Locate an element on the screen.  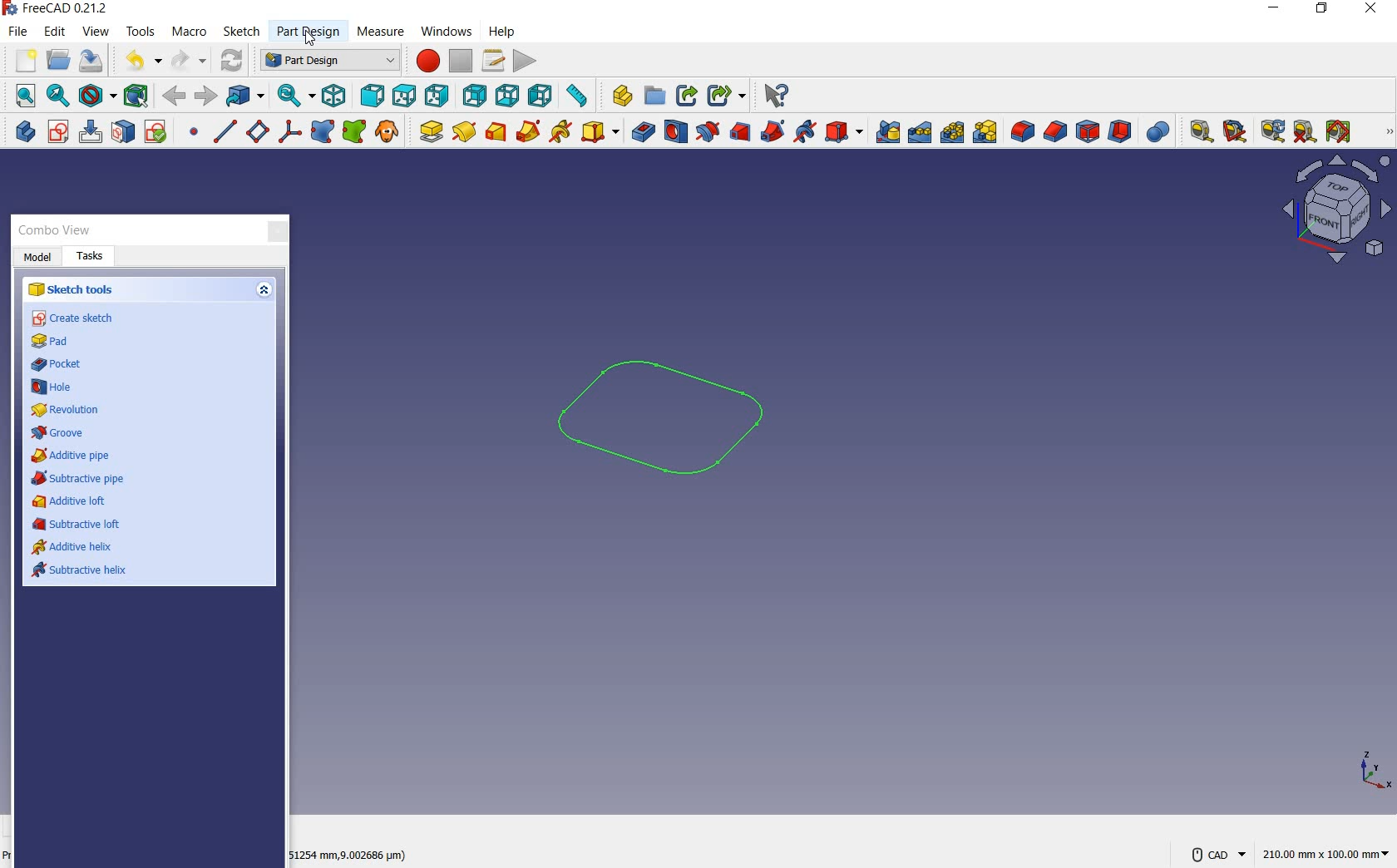
go to linked object is located at coordinates (245, 96).